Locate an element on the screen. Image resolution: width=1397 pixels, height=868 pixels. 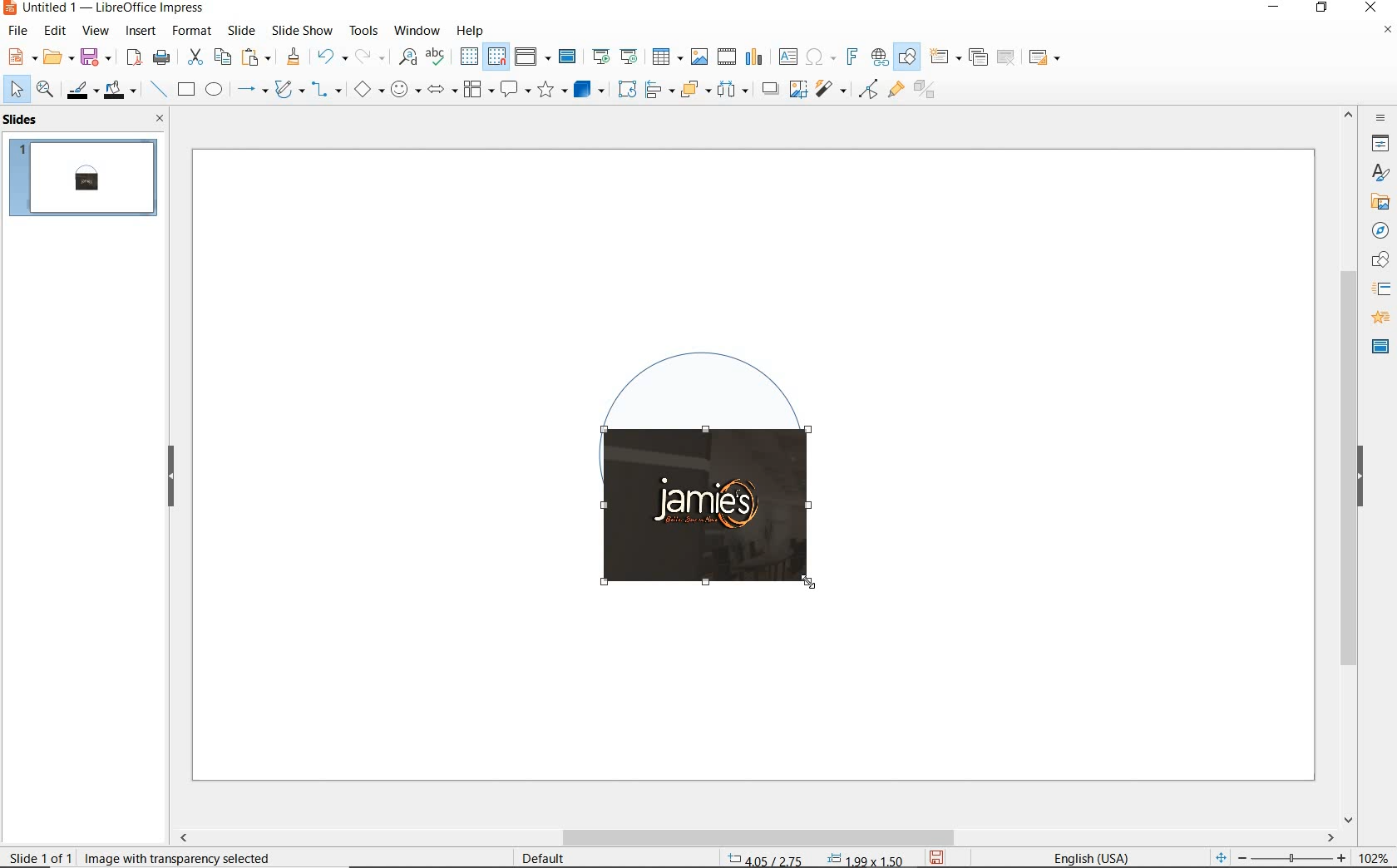
line color is located at coordinates (81, 90).